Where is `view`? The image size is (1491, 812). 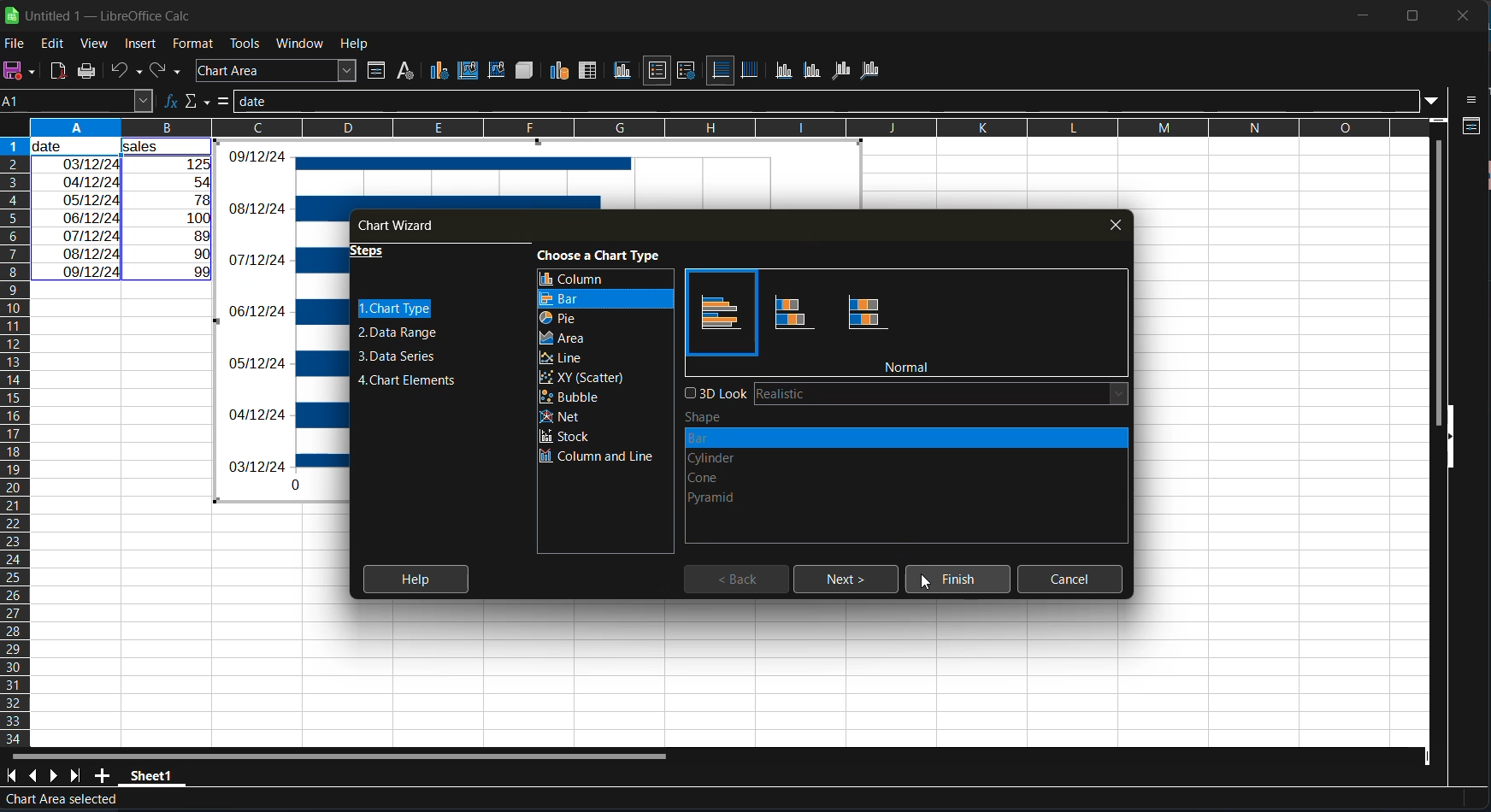 view is located at coordinates (99, 44).